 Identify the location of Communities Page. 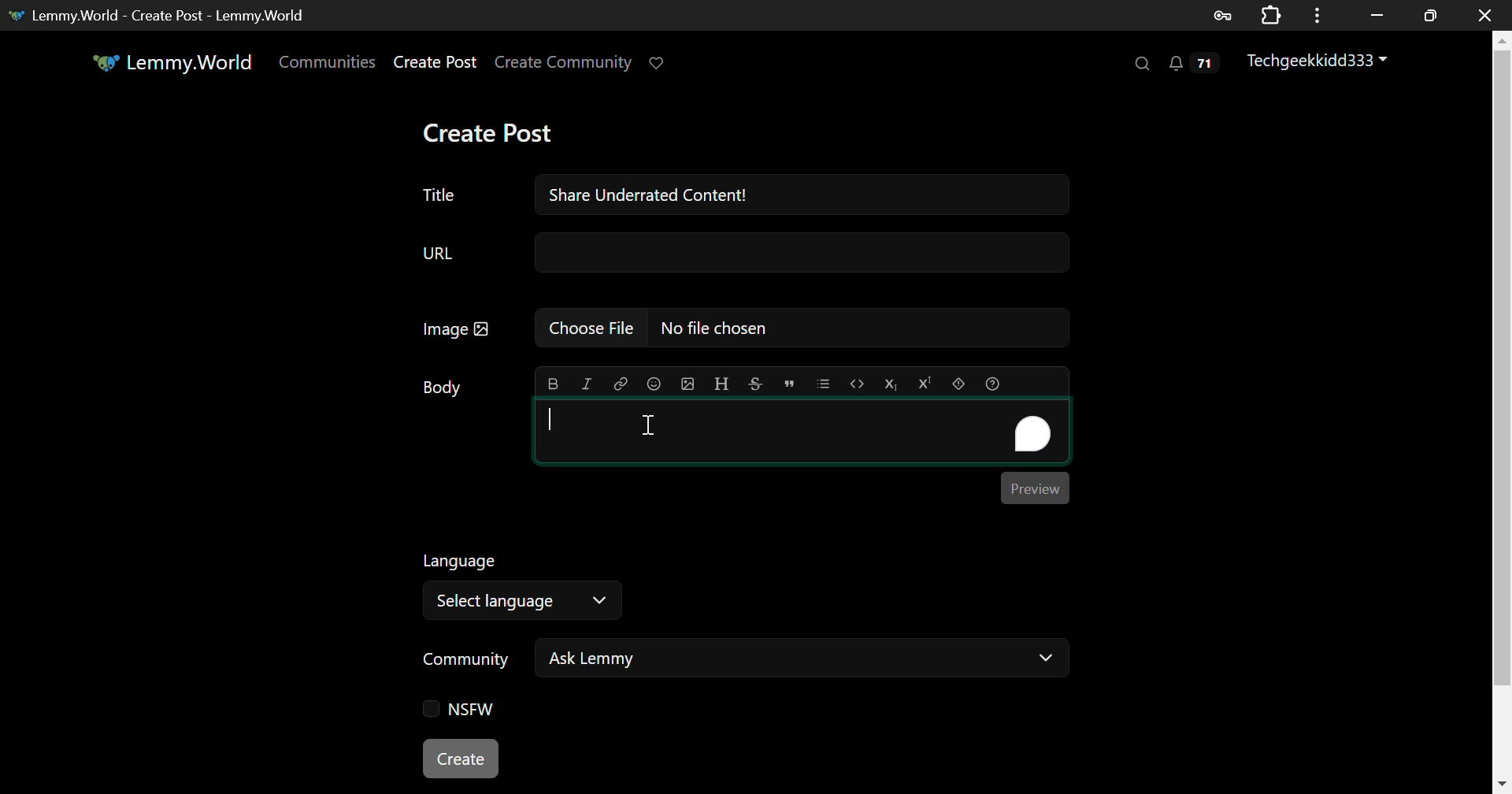
(329, 63).